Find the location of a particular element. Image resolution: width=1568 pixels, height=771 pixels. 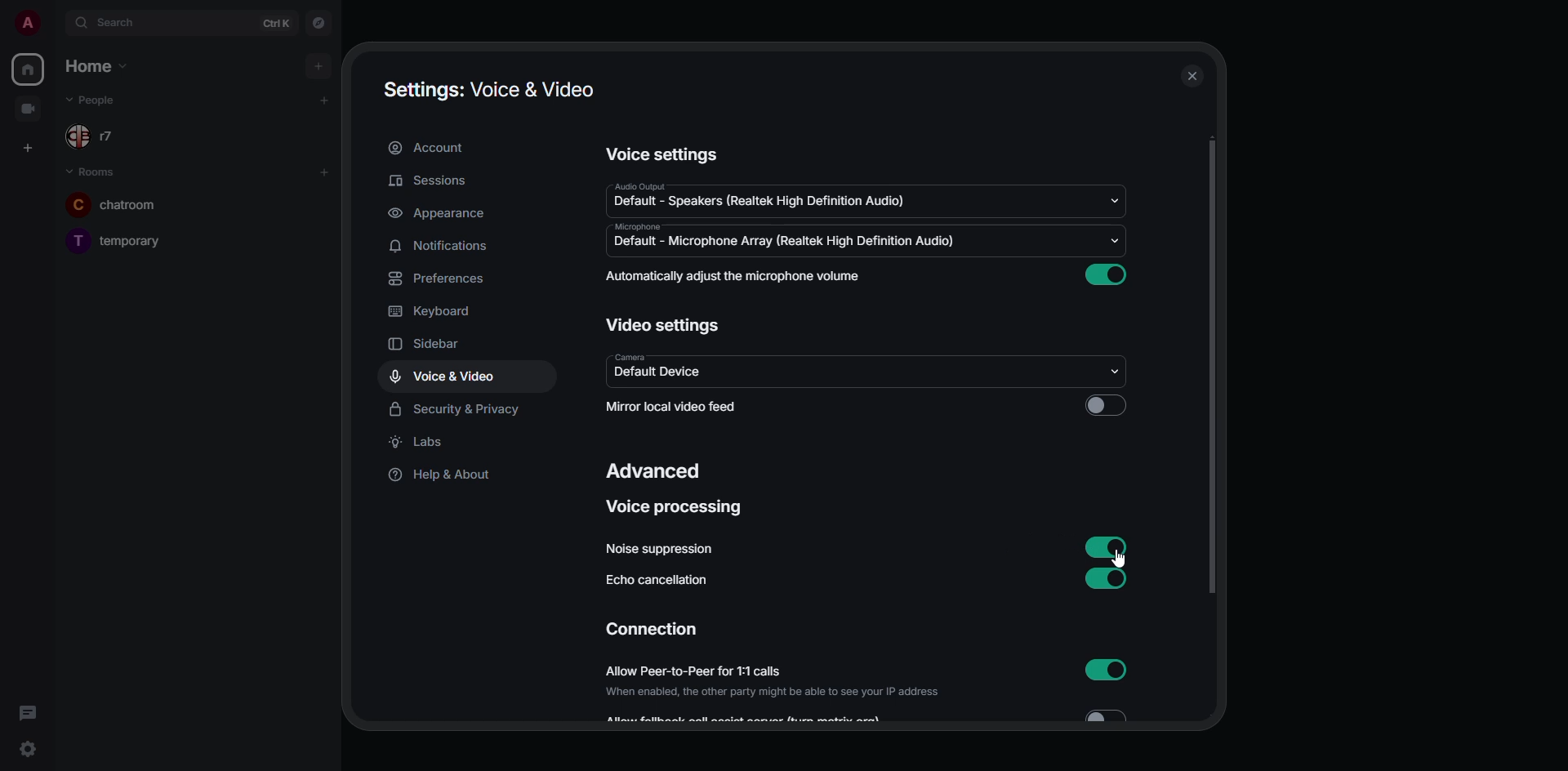

echo cancellation is located at coordinates (663, 582).